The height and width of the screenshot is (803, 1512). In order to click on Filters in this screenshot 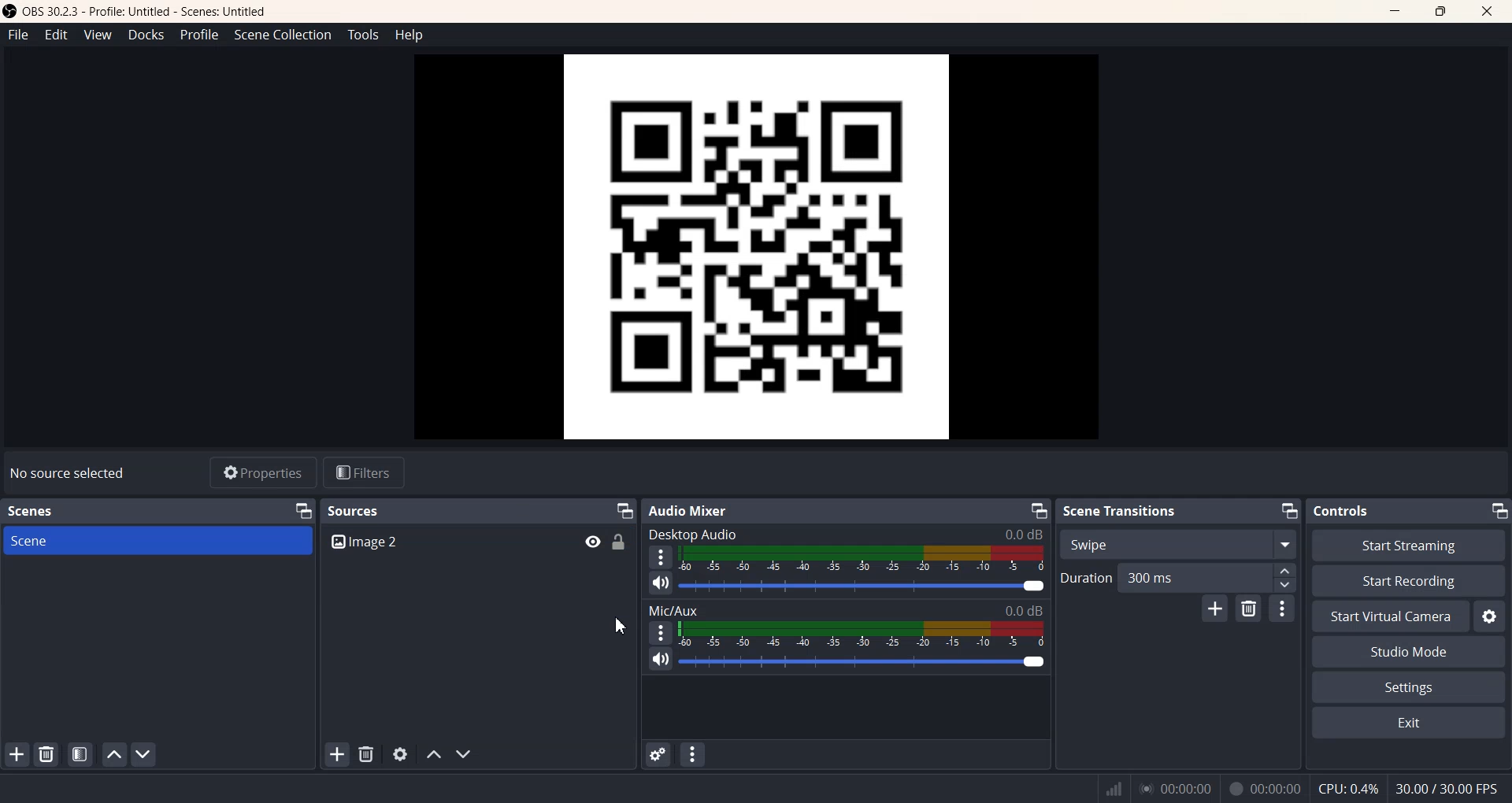, I will do `click(365, 472)`.